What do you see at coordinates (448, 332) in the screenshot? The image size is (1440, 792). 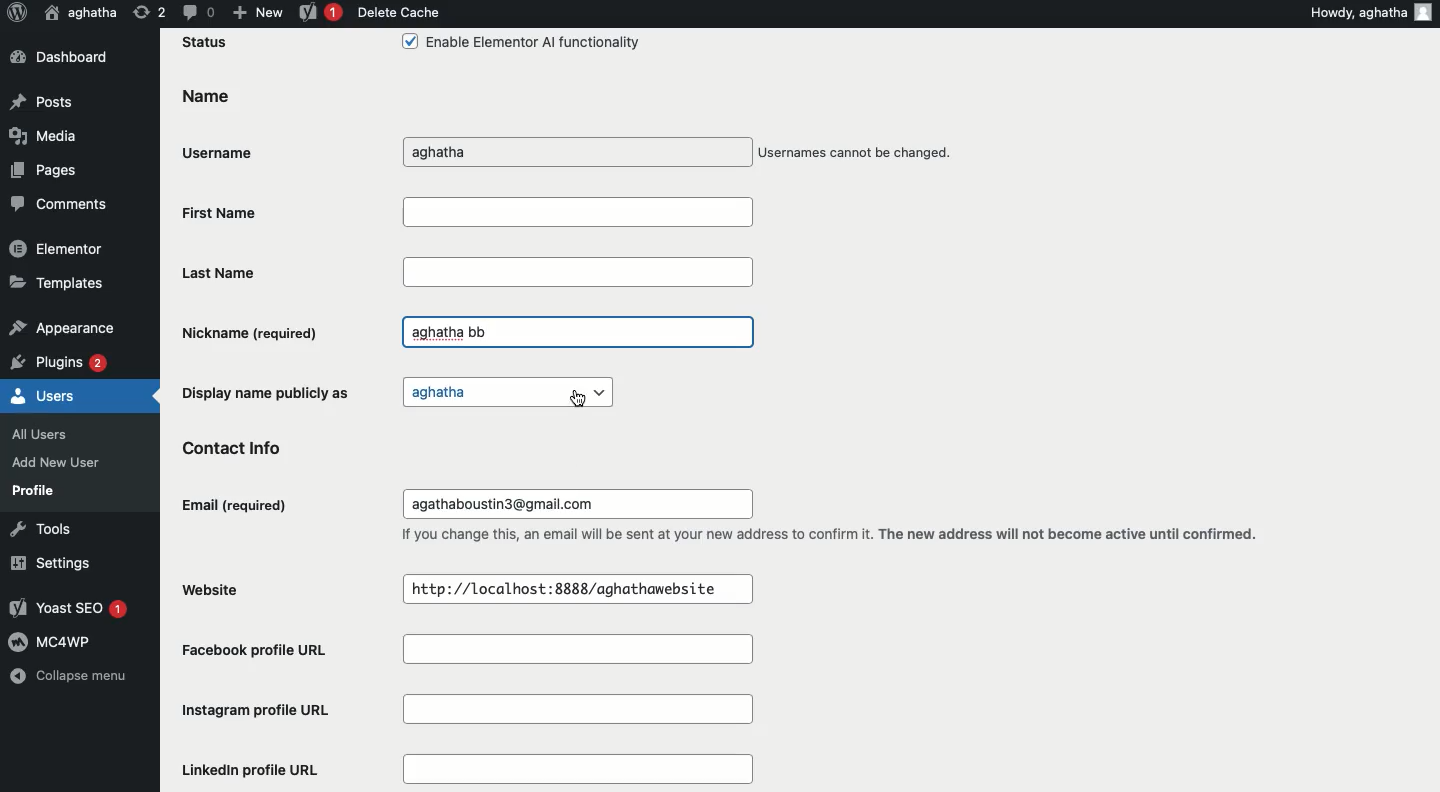 I see `aghatha bb` at bounding box center [448, 332].